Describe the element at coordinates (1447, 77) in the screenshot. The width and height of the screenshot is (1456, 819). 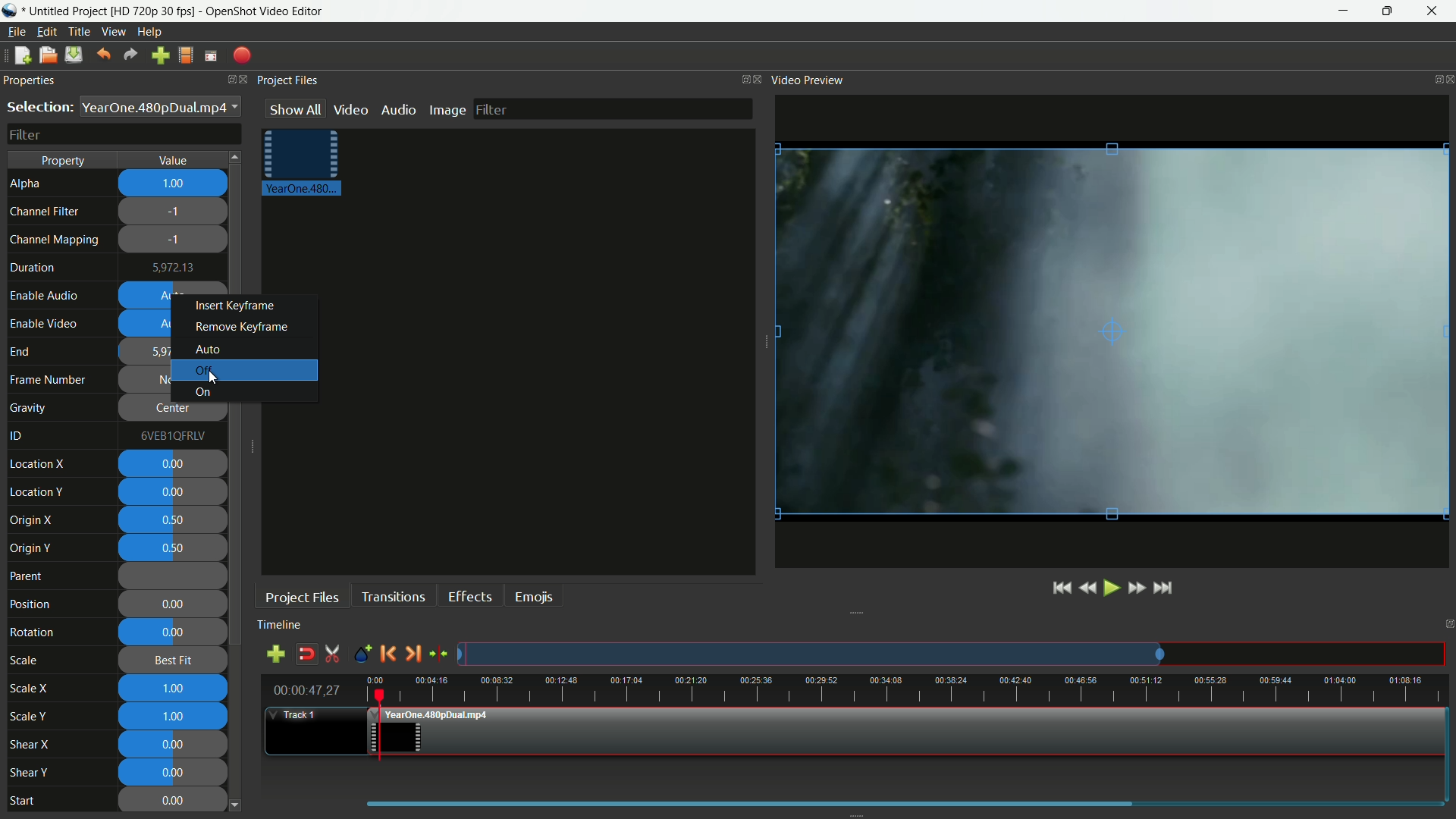
I see `close video preview` at that location.